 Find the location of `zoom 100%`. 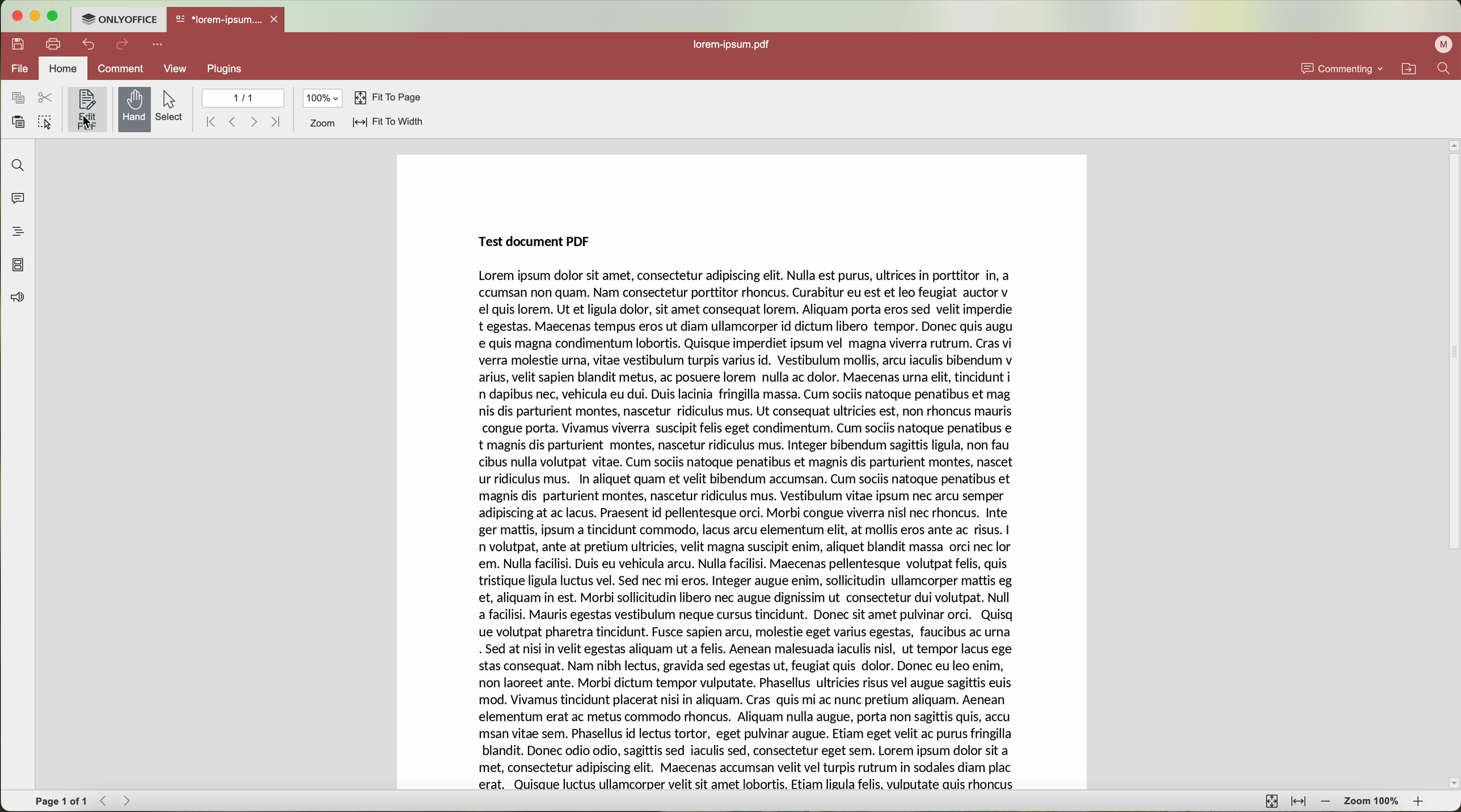

zoom 100% is located at coordinates (1371, 802).